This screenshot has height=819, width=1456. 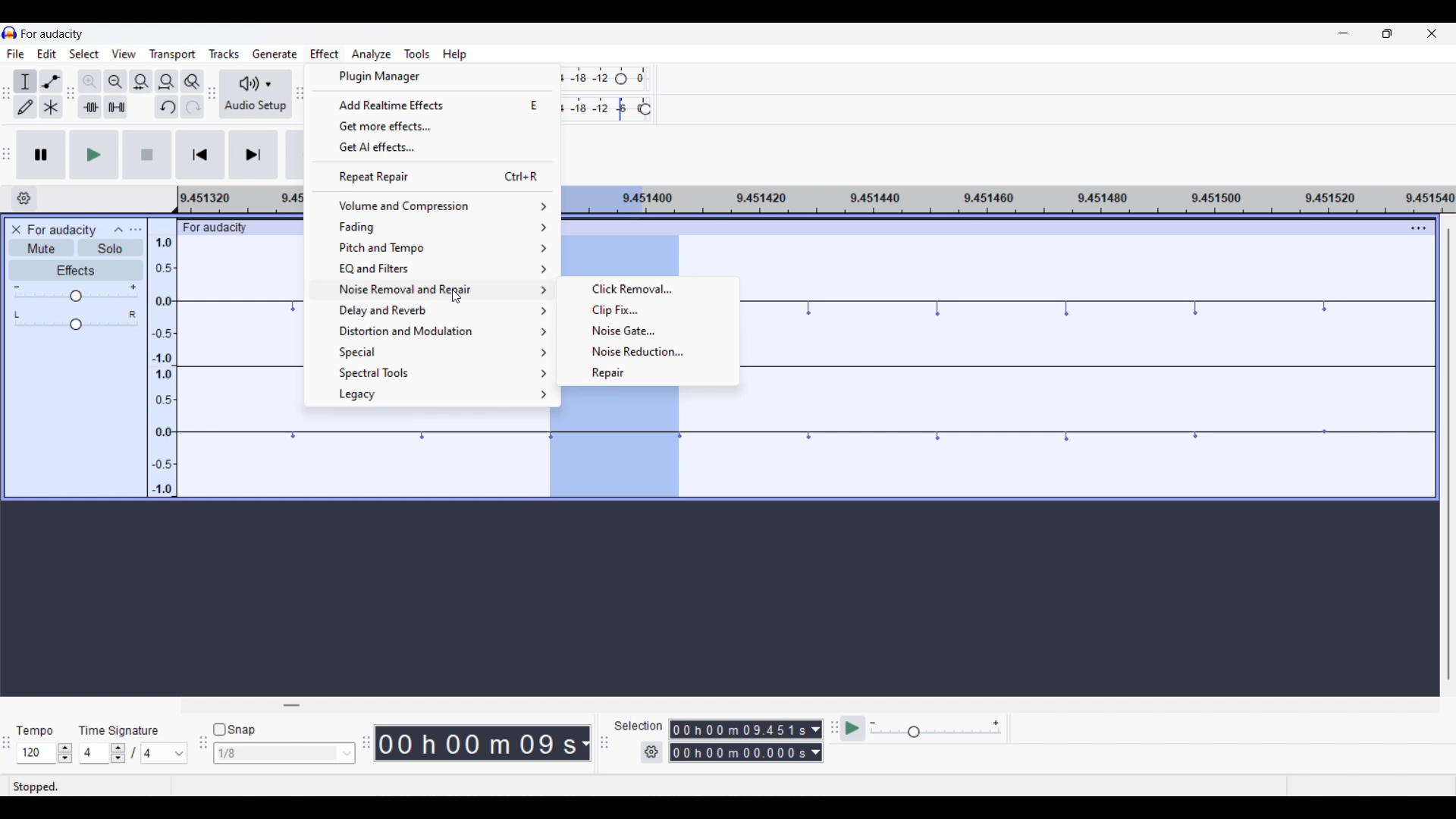 I want to click on Playback speed scale, so click(x=936, y=730).